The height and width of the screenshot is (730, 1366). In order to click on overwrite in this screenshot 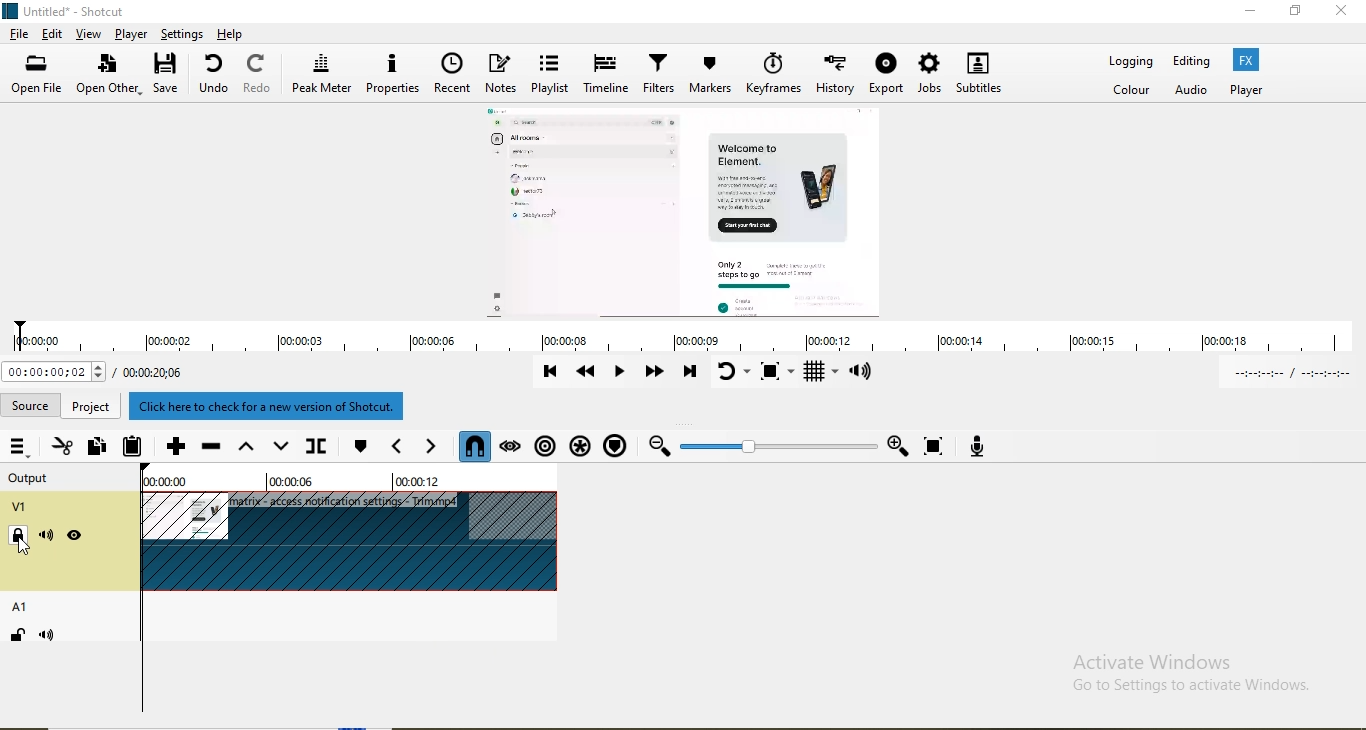, I will do `click(282, 445)`.